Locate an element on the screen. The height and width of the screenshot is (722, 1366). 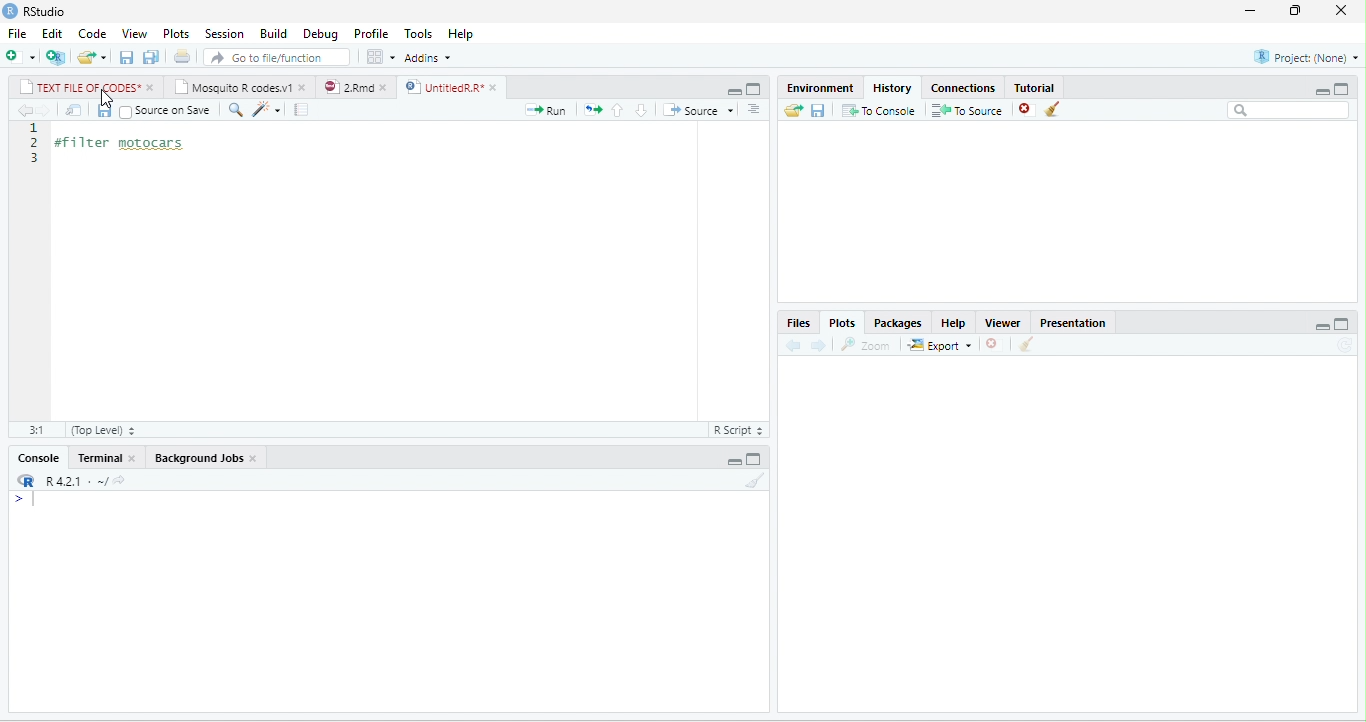
Files is located at coordinates (798, 323).